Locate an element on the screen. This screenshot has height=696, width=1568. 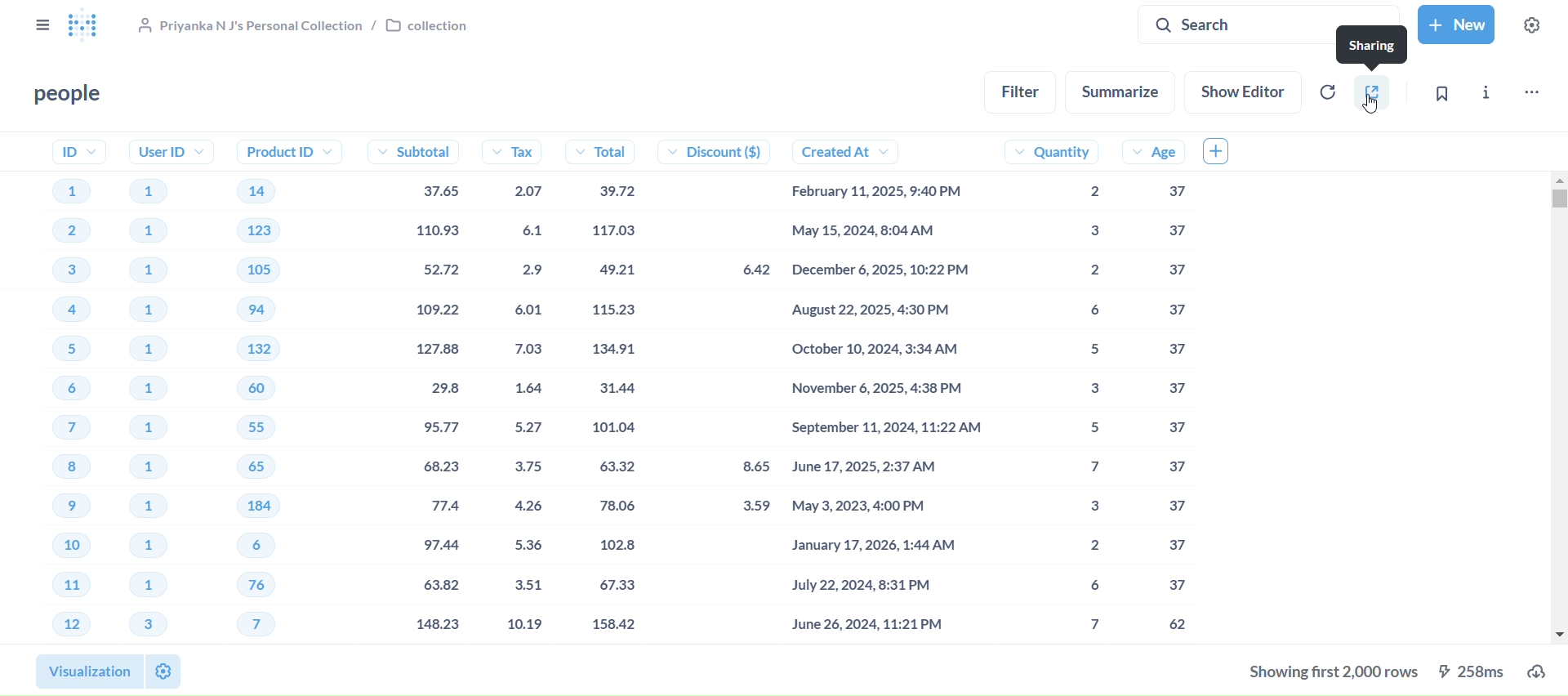
settings is located at coordinates (1535, 25).